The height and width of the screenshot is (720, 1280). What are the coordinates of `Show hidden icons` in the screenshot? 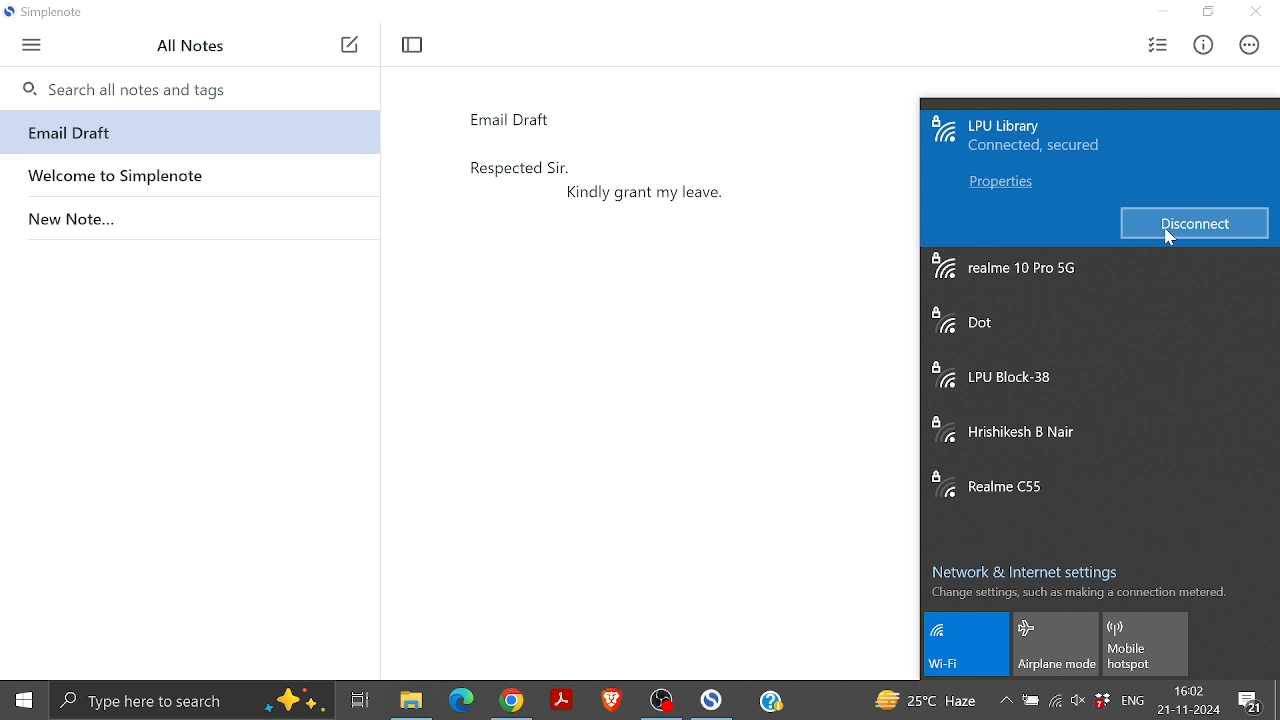 It's located at (1006, 701).